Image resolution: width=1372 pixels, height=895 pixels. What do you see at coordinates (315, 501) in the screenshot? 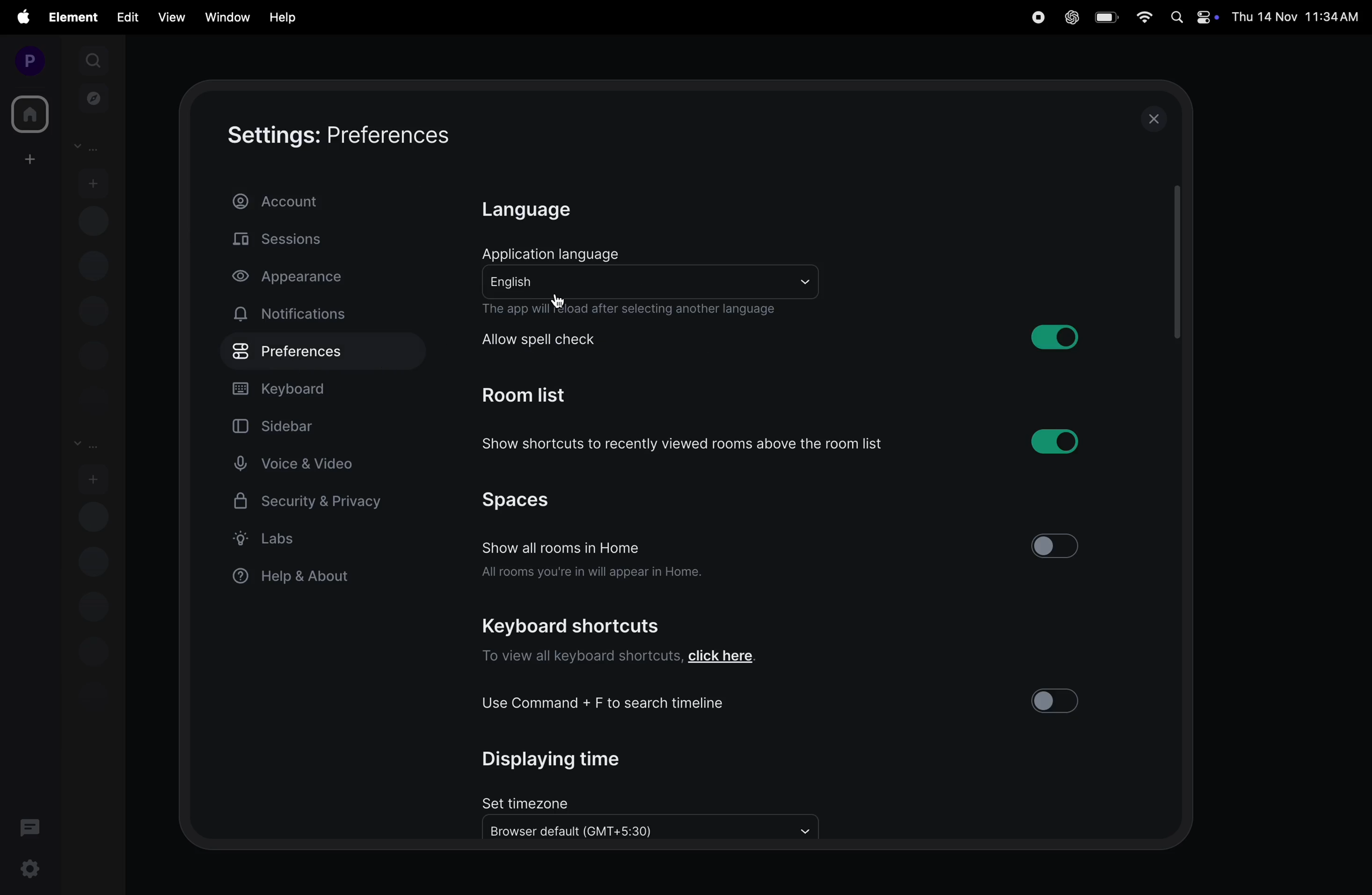
I see `security and privacy` at bounding box center [315, 501].